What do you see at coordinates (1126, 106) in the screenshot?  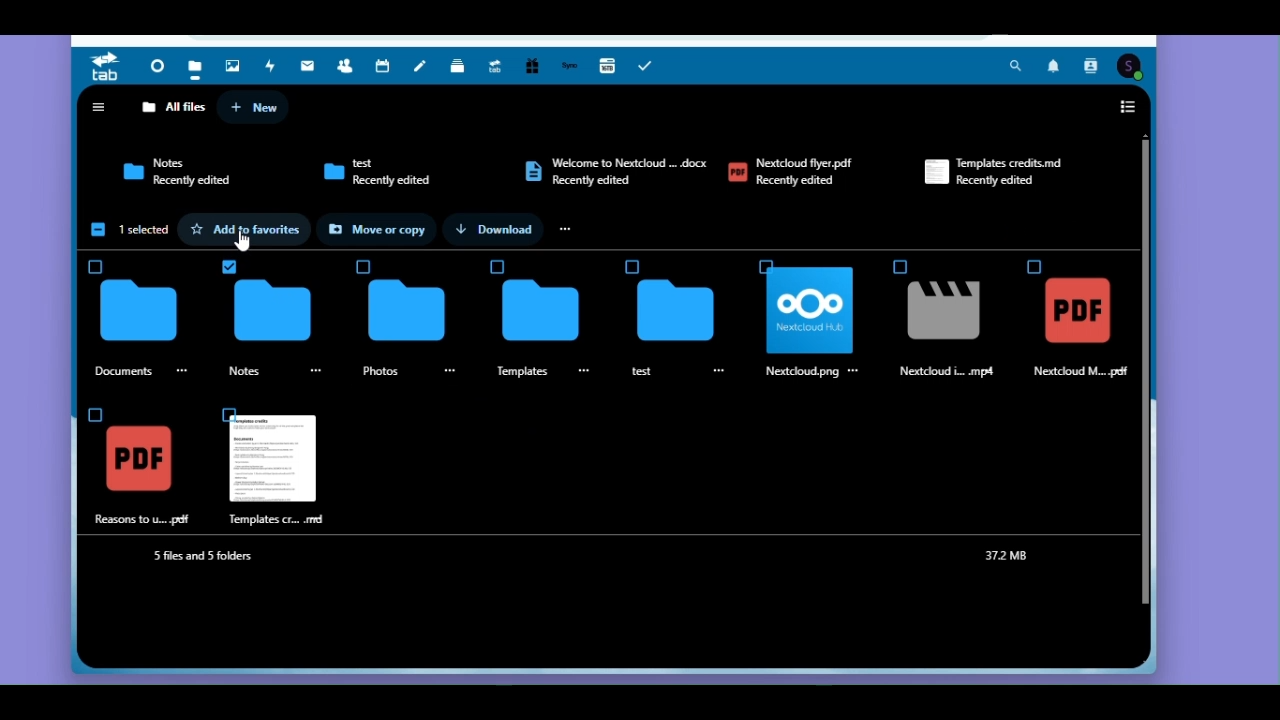 I see `Switch to list` at bounding box center [1126, 106].